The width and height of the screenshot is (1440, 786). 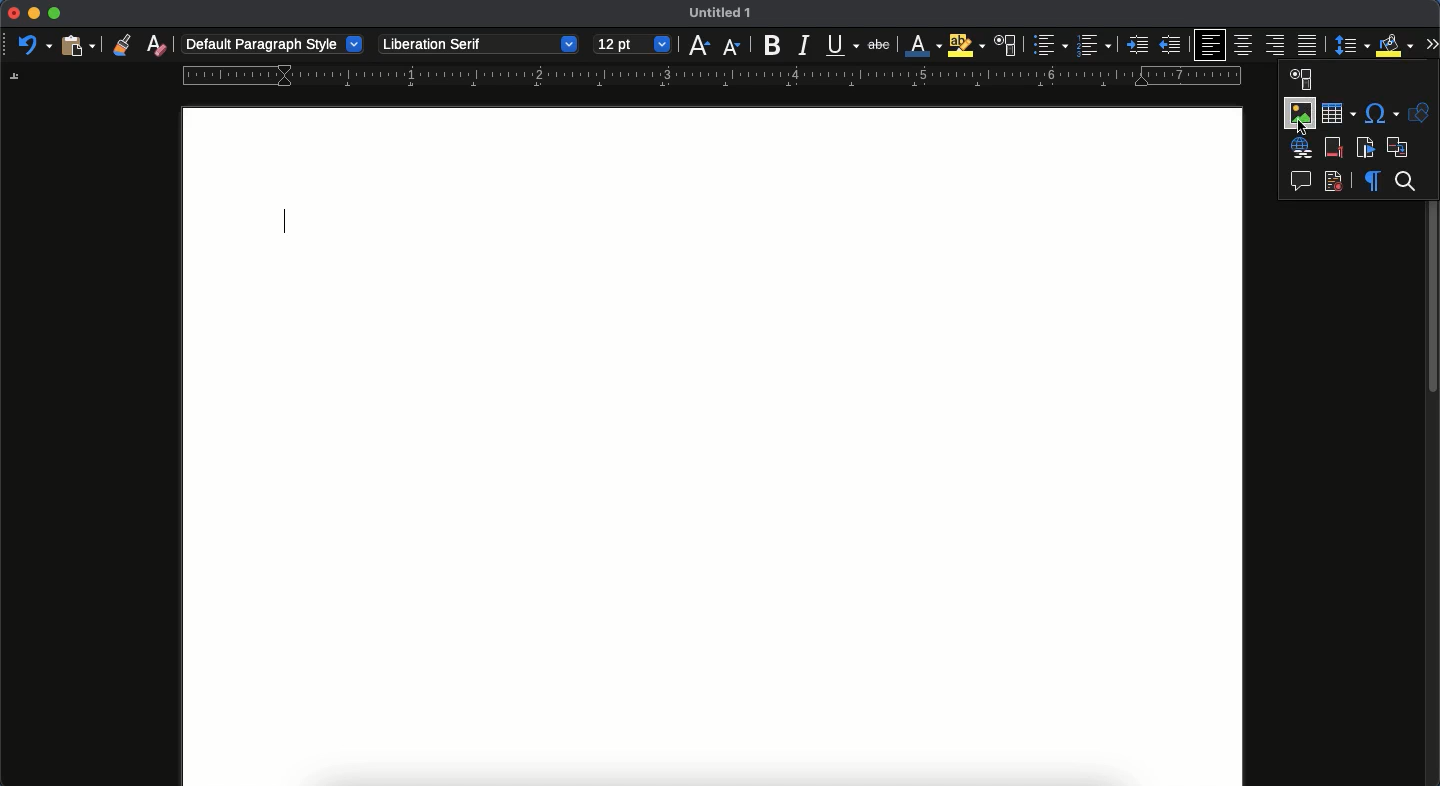 What do you see at coordinates (1405, 179) in the screenshot?
I see `search` at bounding box center [1405, 179].